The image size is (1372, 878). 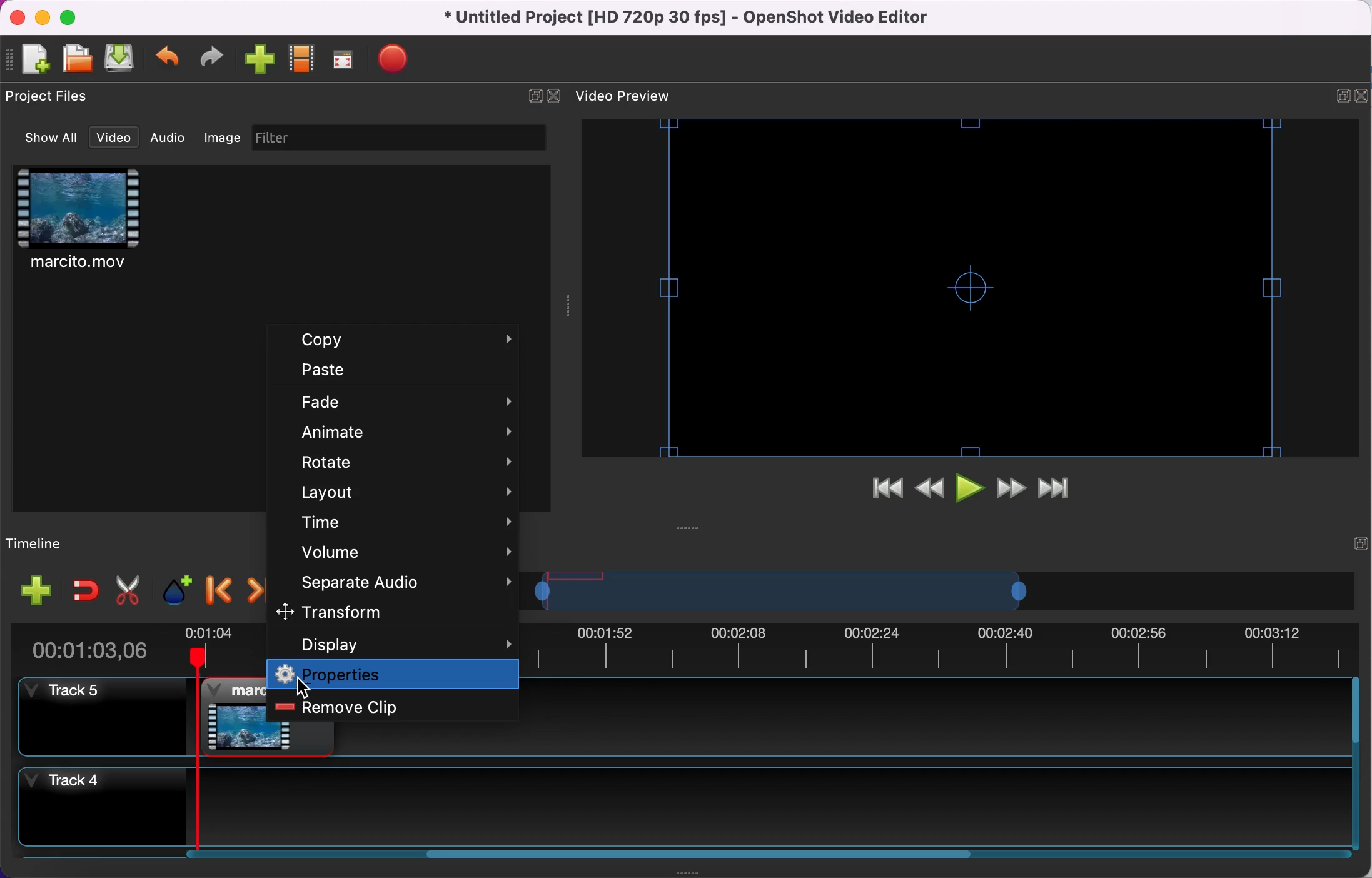 I want to click on remove clip, so click(x=360, y=704).